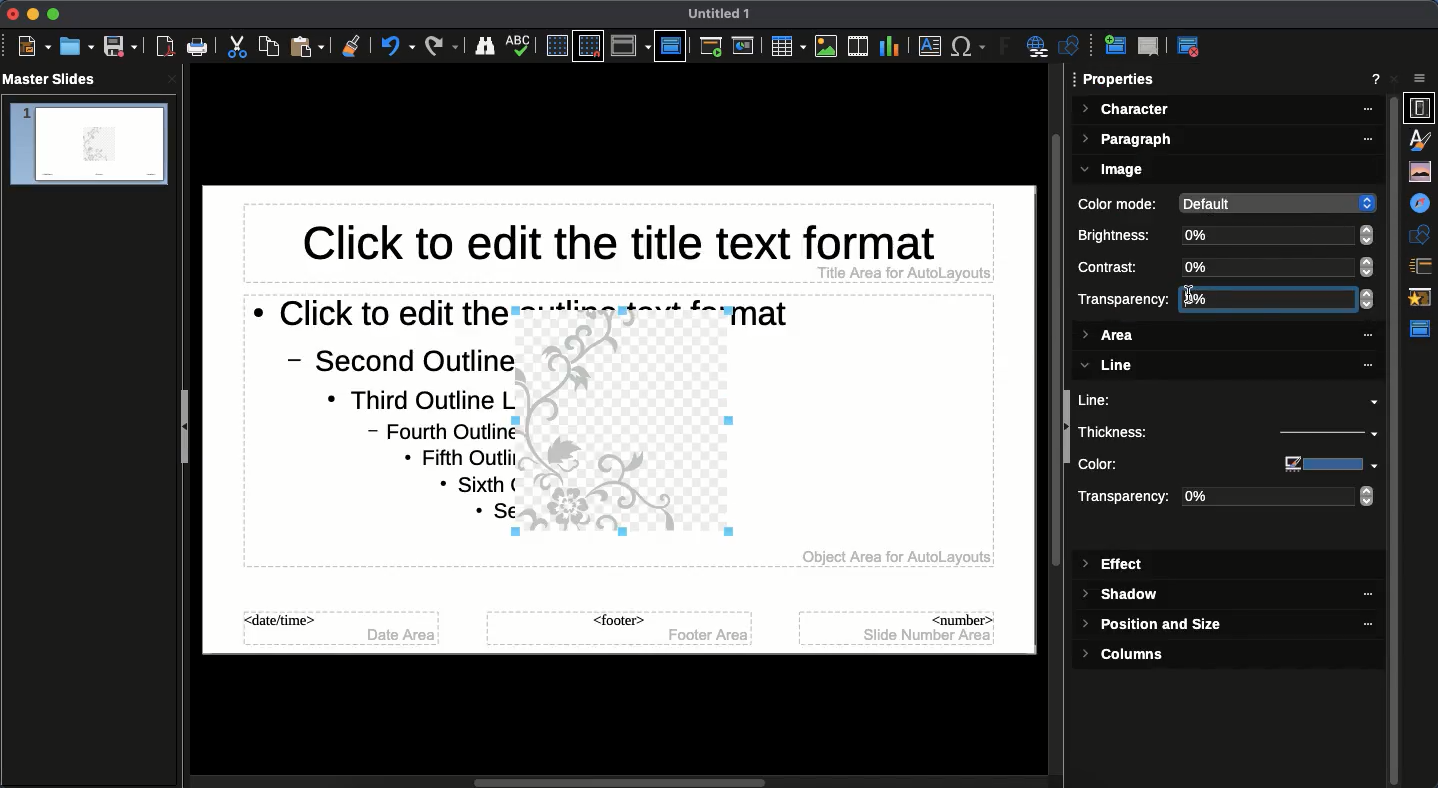  What do you see at coordinates (1049, 422) in the screenshot?
I see `vertical scroll bar` at bounding box center [1049, 422].